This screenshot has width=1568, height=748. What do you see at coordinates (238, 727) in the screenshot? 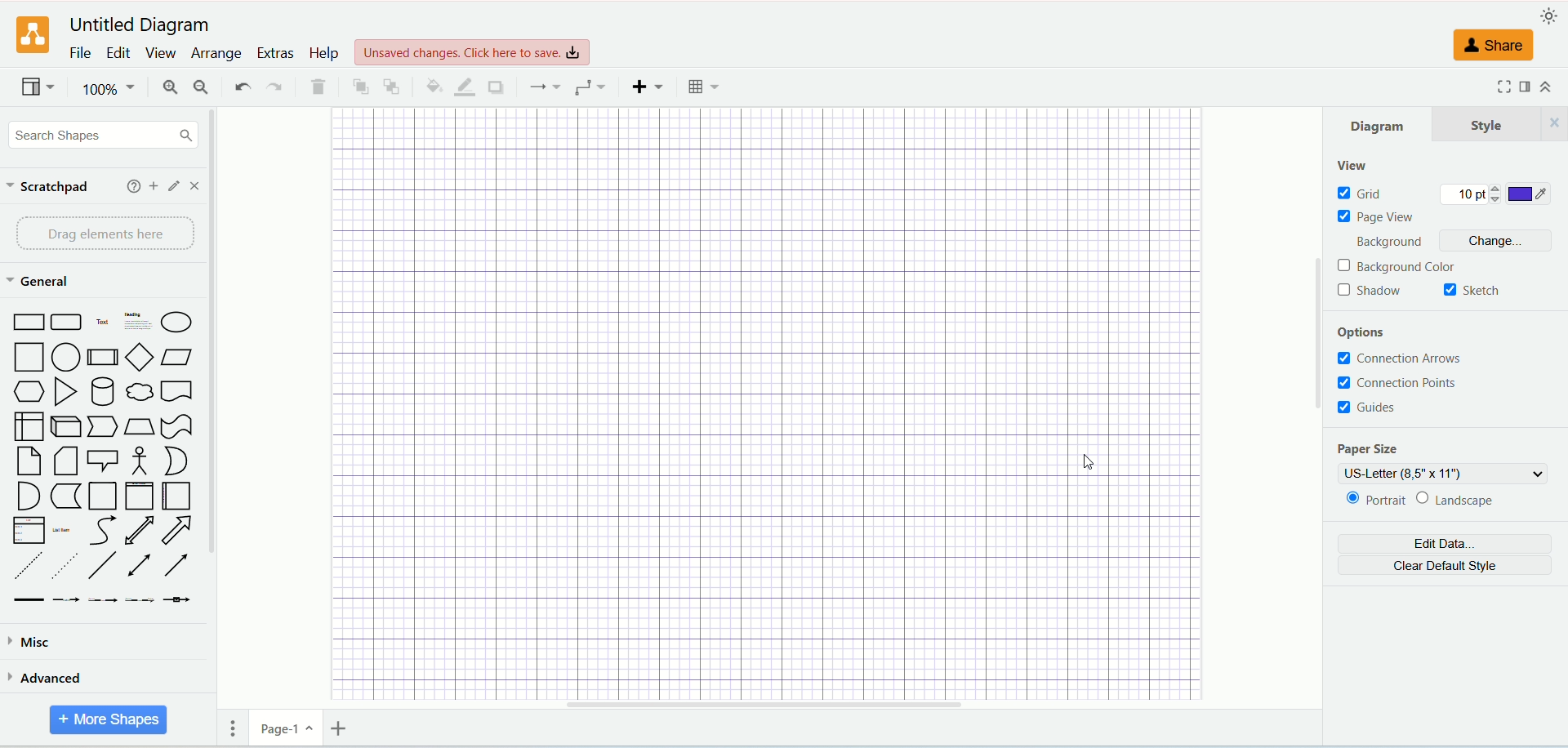
I see `pages` at bounding box center [238, 727].